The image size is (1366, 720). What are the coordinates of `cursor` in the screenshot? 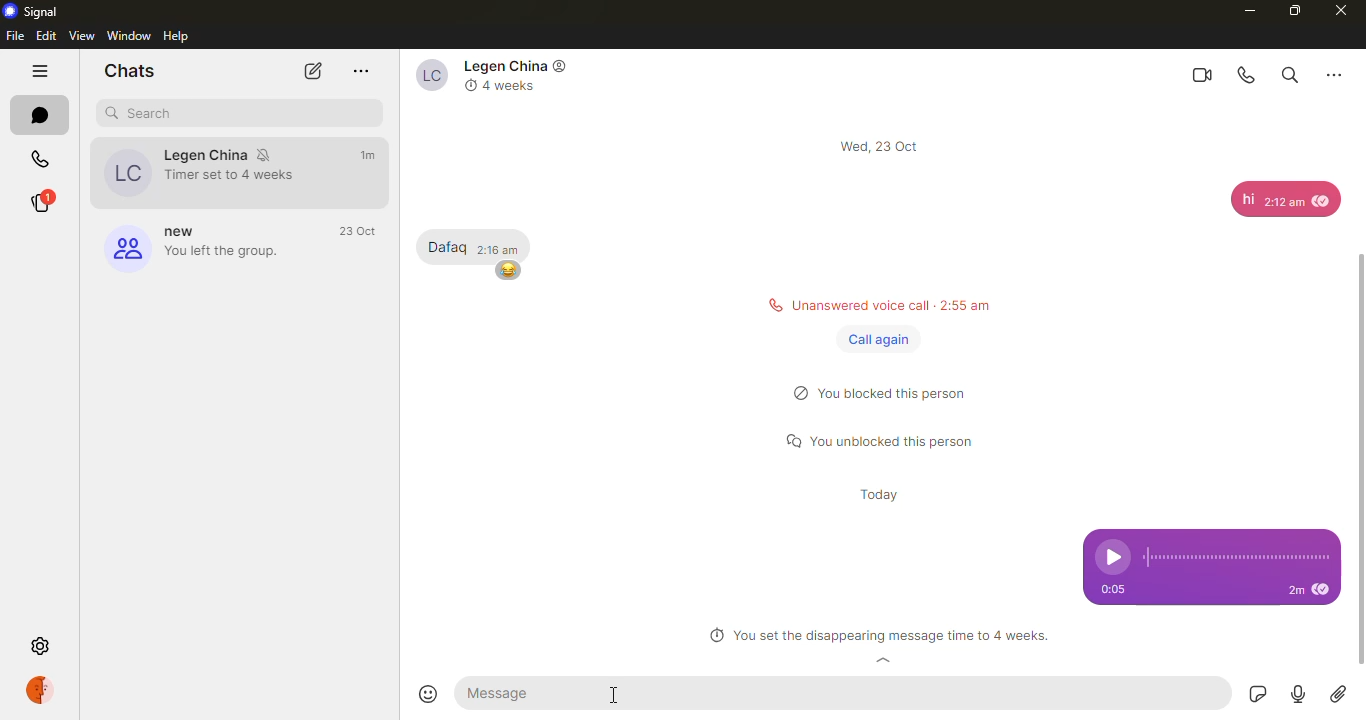 It's located at (616, 697).